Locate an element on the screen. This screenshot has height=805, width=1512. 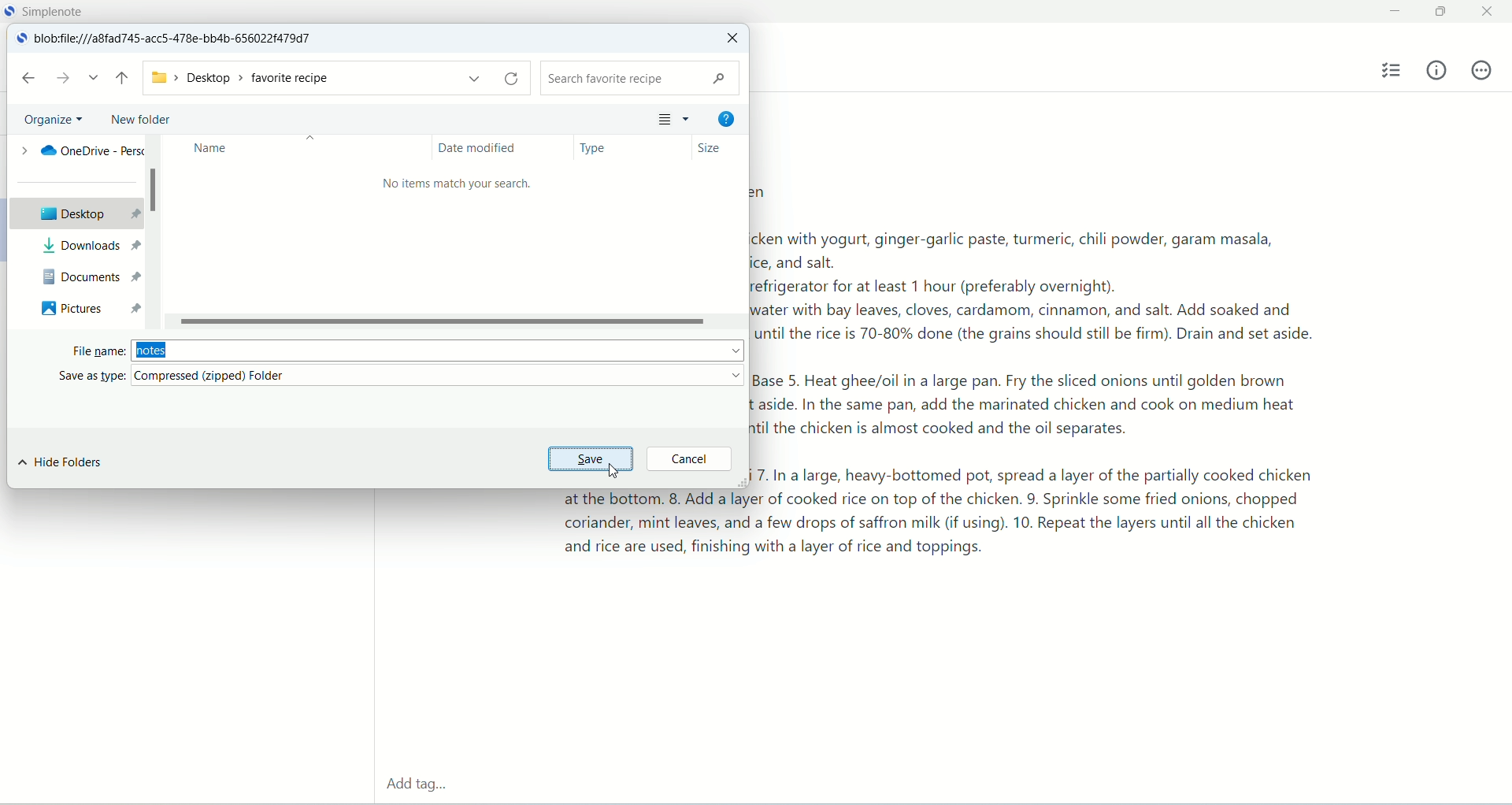
location is located at coordinates (338, 80).